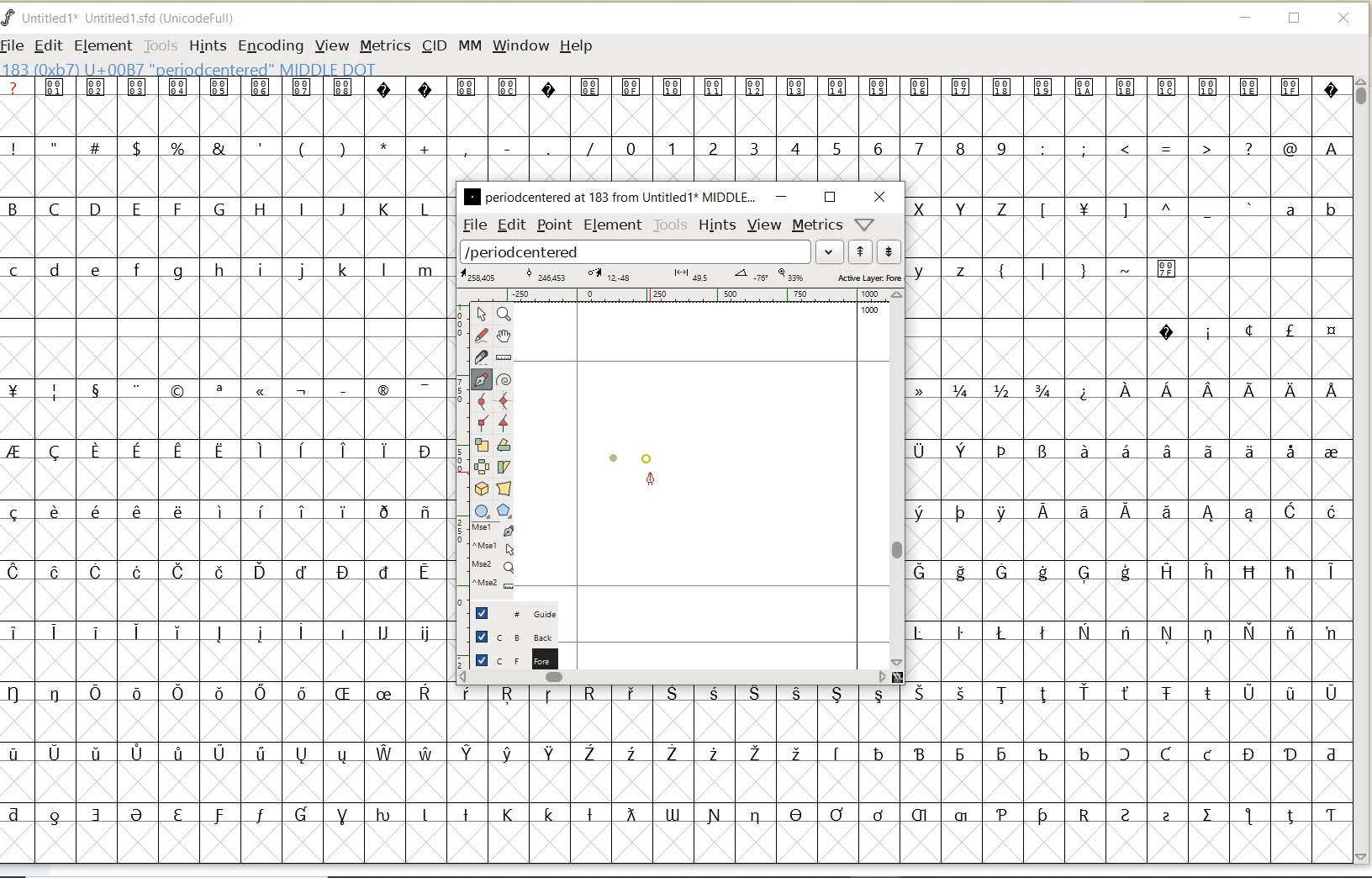 The image size is (1372, 878). Describe the element at coordinates (504, 421) in the screenshot. I see `Add a corner point` at that location.